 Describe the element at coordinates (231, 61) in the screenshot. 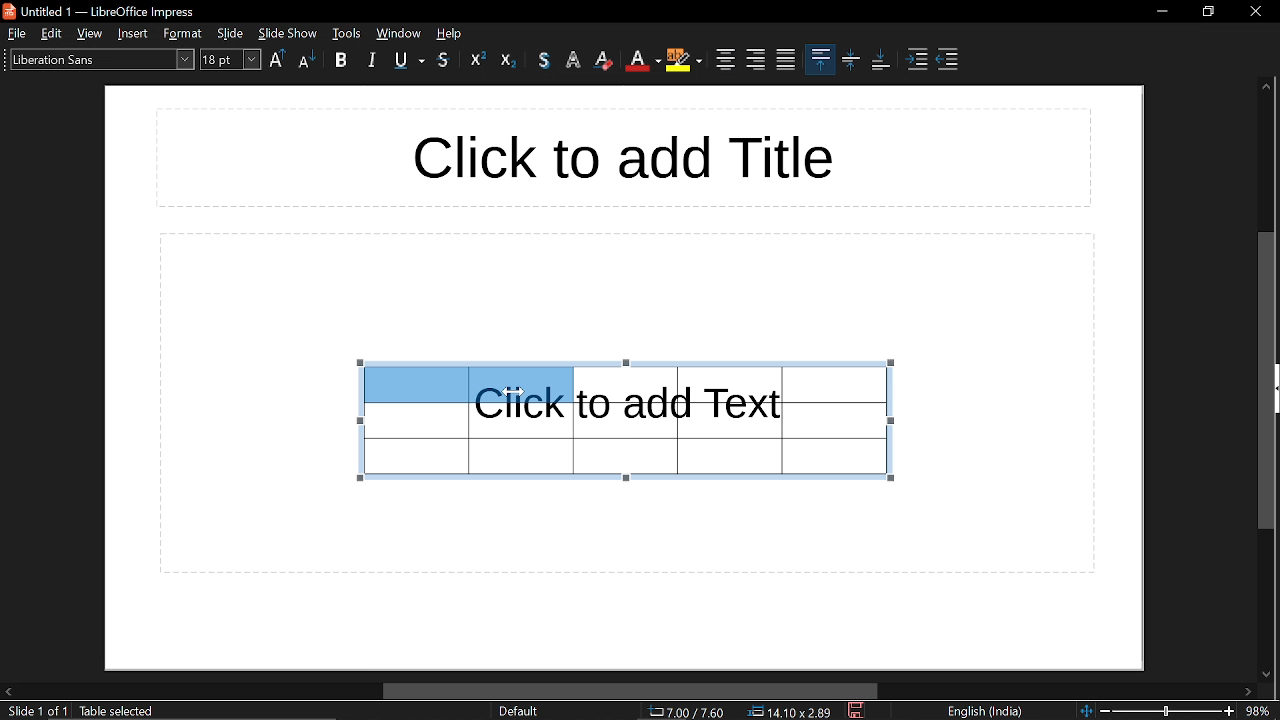

I see `text size` at that location.